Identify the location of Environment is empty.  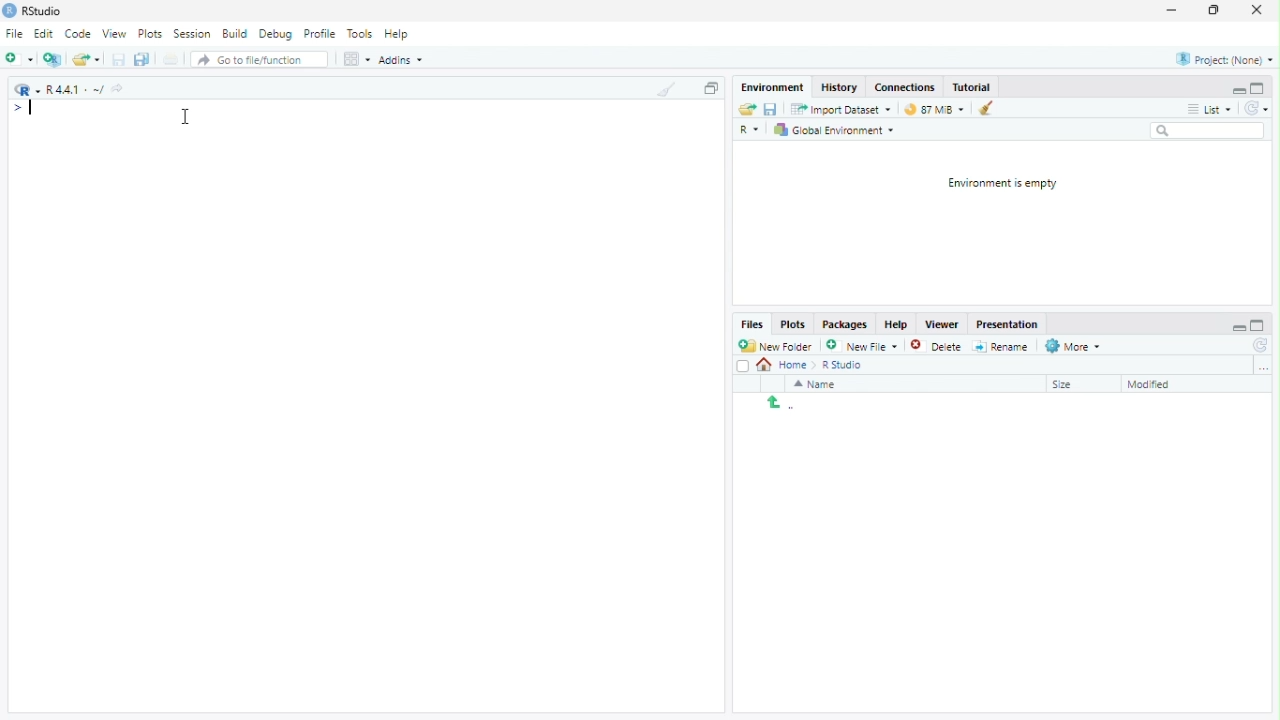
(997, 184).